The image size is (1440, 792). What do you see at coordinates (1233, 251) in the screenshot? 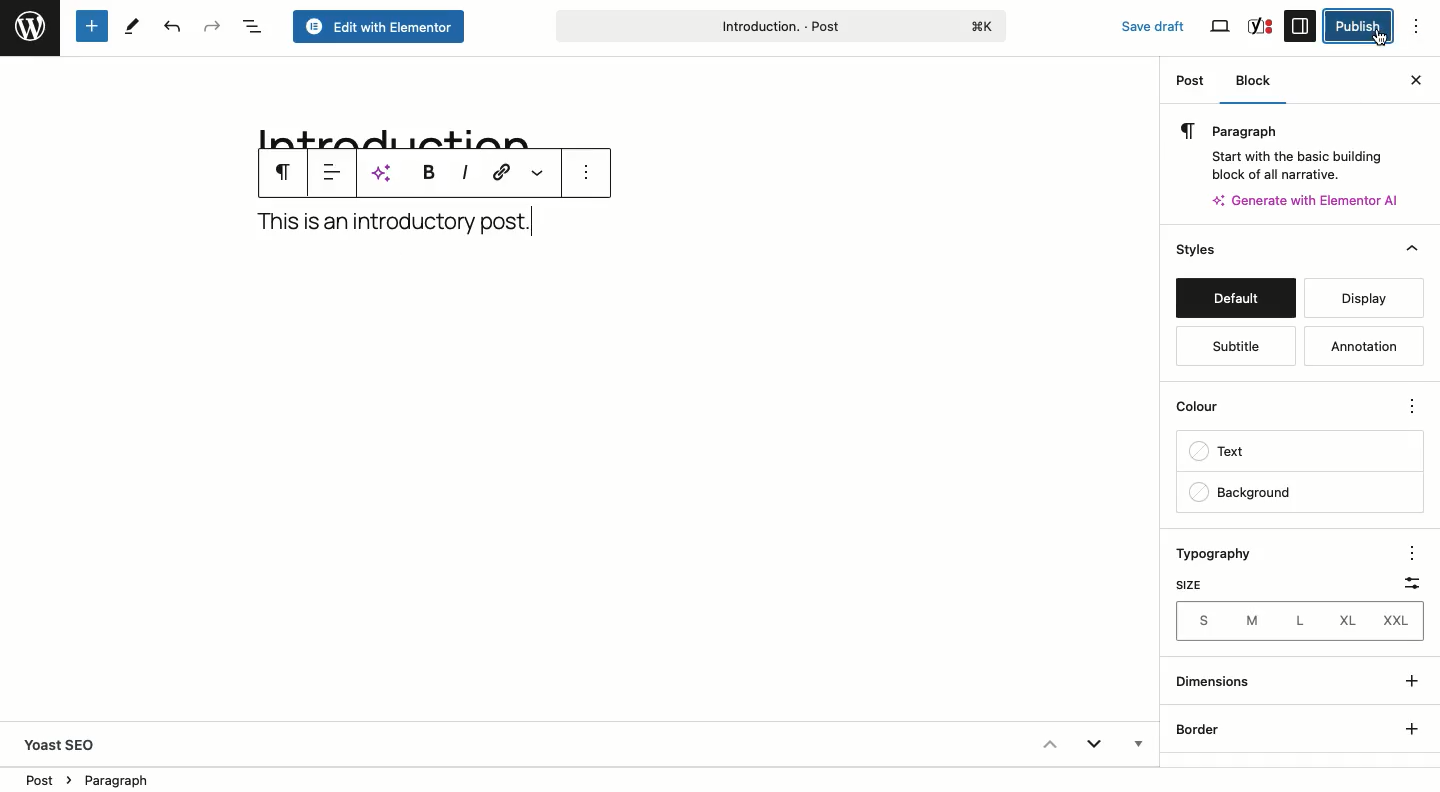
I see `Styles` at bounding box center [1233, 251].